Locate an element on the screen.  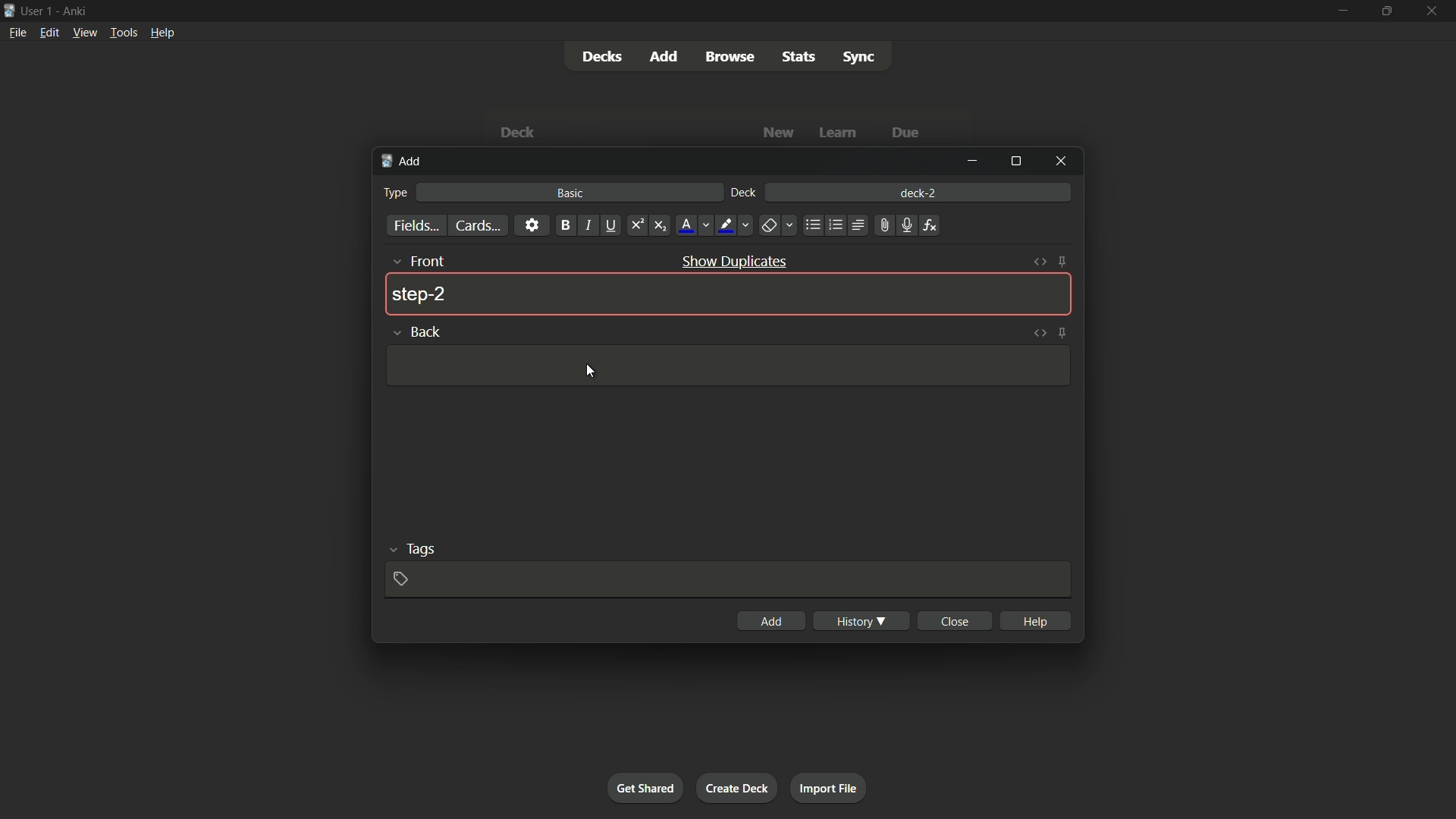
type is located at coordinates (397, 193).